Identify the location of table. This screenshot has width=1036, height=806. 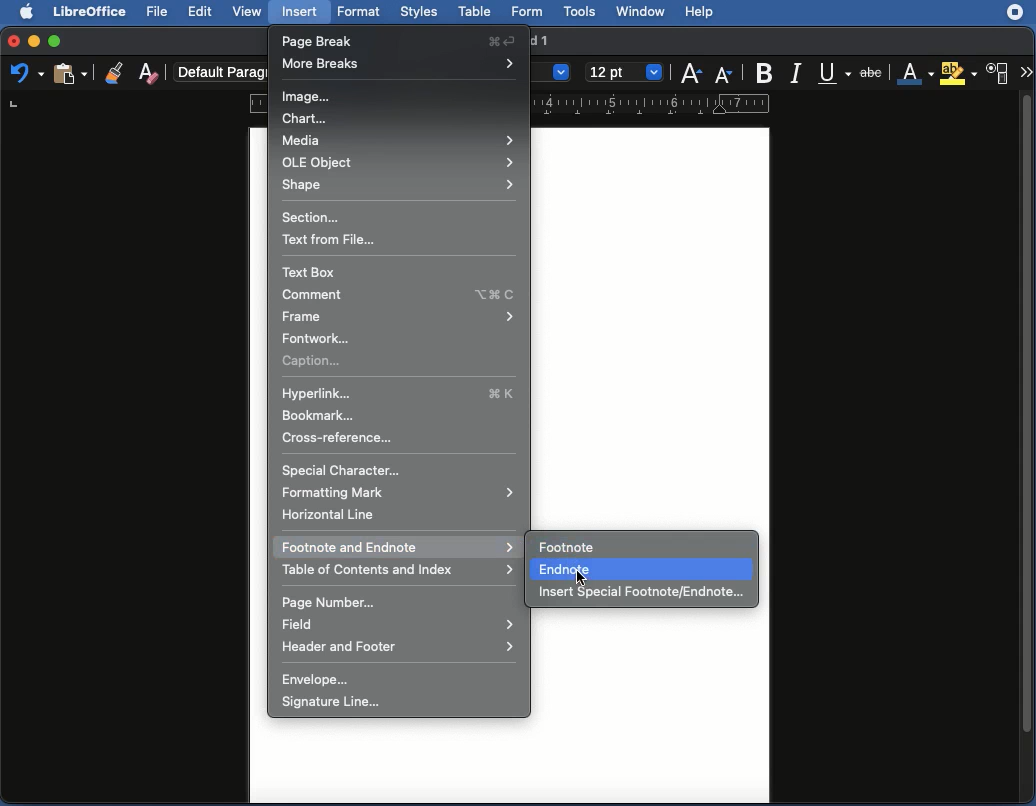
(475, 12).